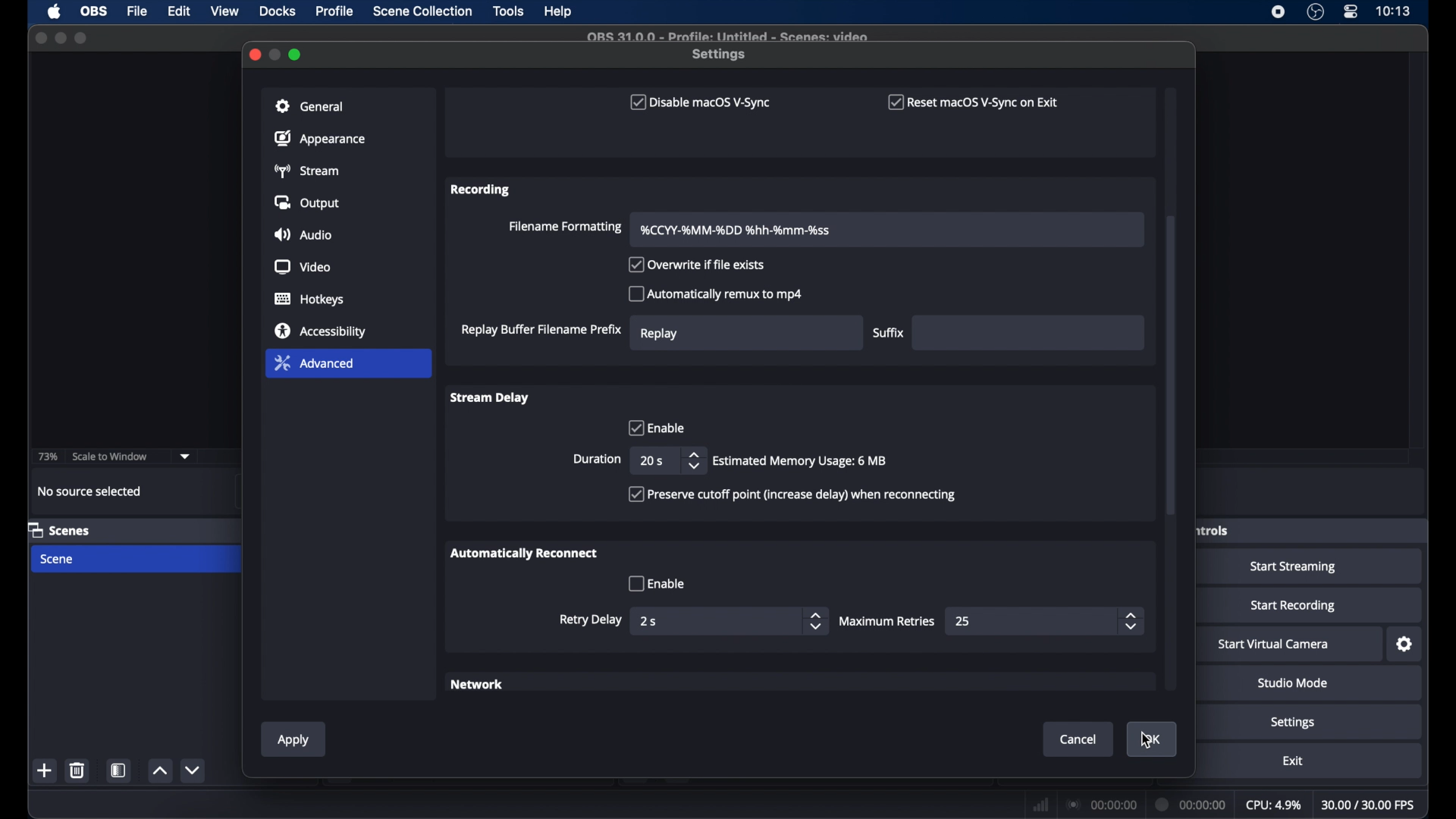 This screenshot has height=819, width=1456. I want to click on ok, so click(1153, 739).